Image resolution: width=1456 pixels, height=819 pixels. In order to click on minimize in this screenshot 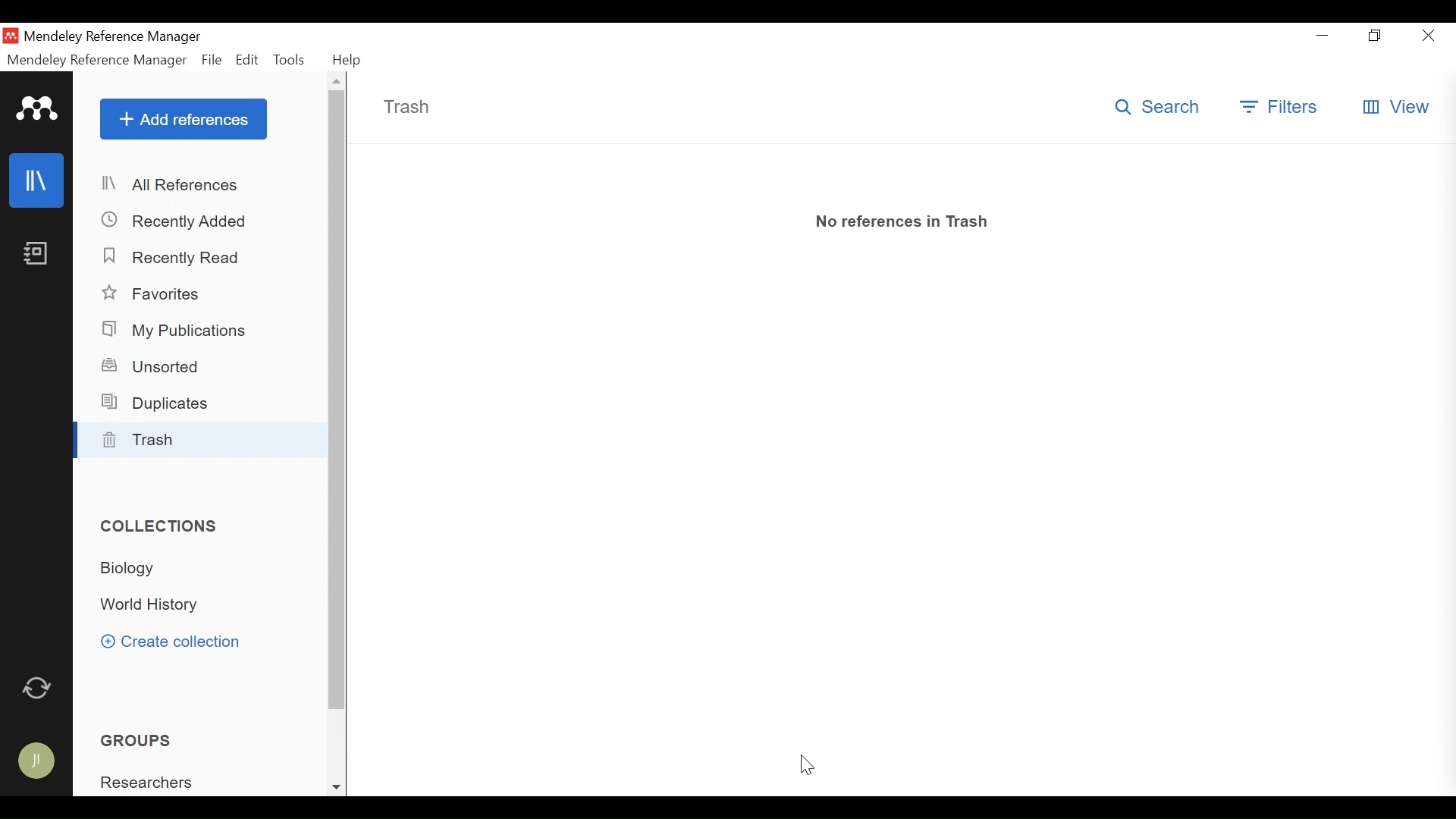, I will do `click(1323, 36)`.